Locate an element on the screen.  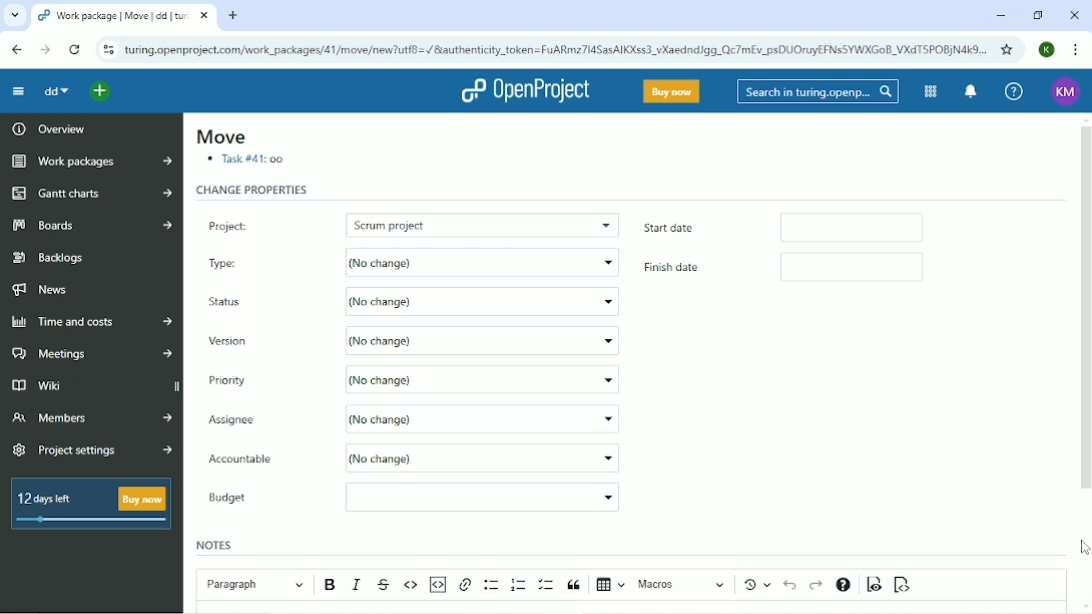
Open quick add menu is located at coordinates (101, 93).